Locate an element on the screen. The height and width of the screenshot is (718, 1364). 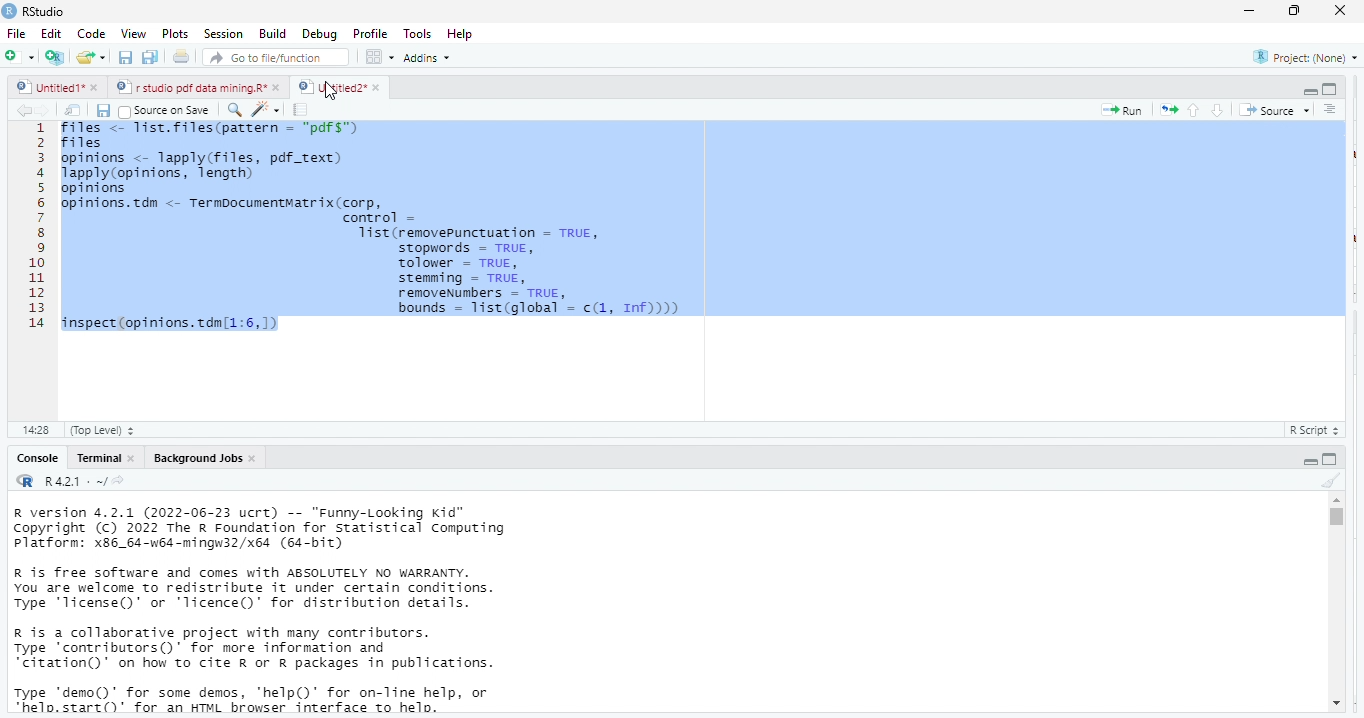
R421: ~/ is located at coordinates (84, 482).